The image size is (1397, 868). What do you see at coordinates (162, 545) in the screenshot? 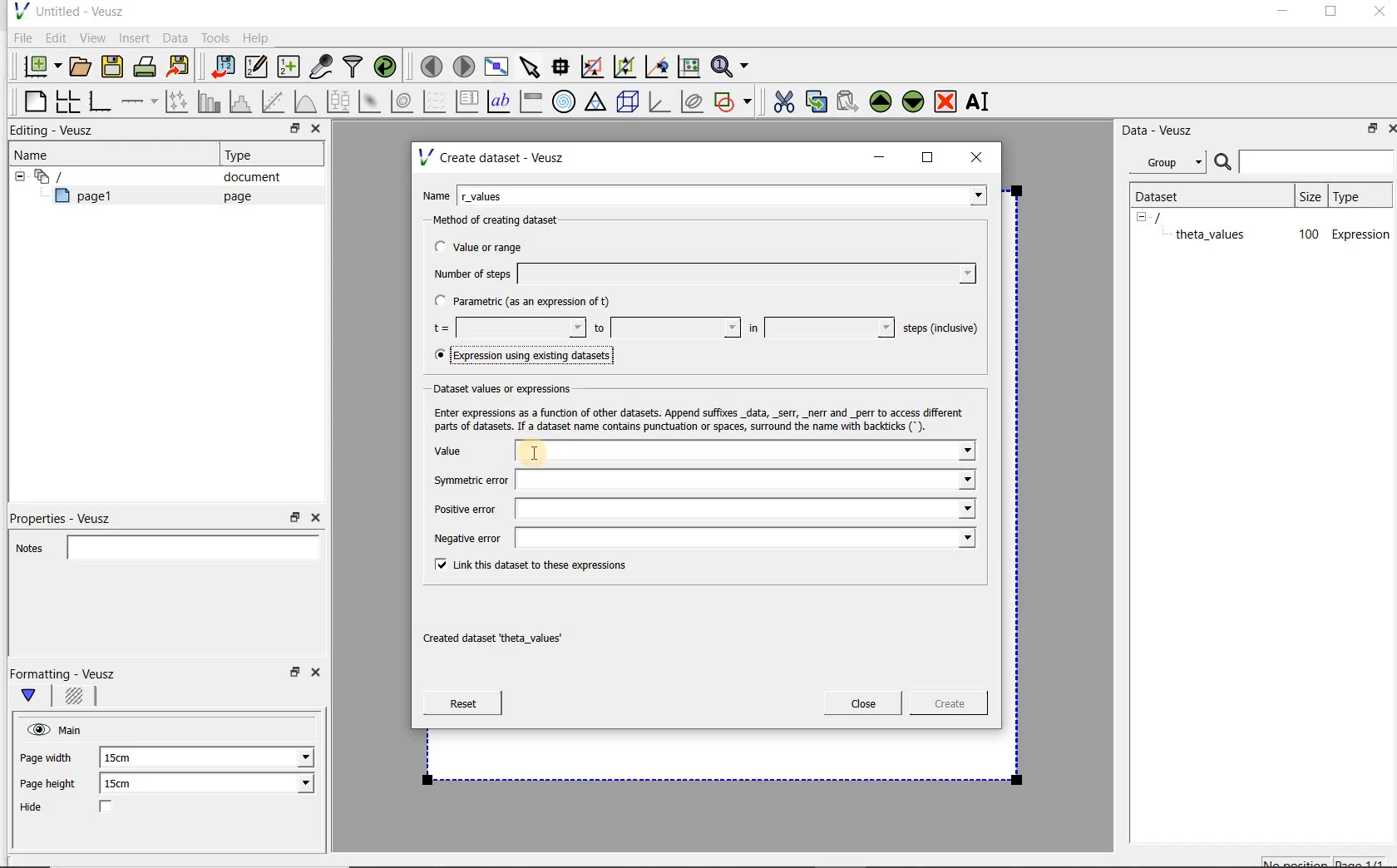
I see `Notes` at bounding box center [162, 545].